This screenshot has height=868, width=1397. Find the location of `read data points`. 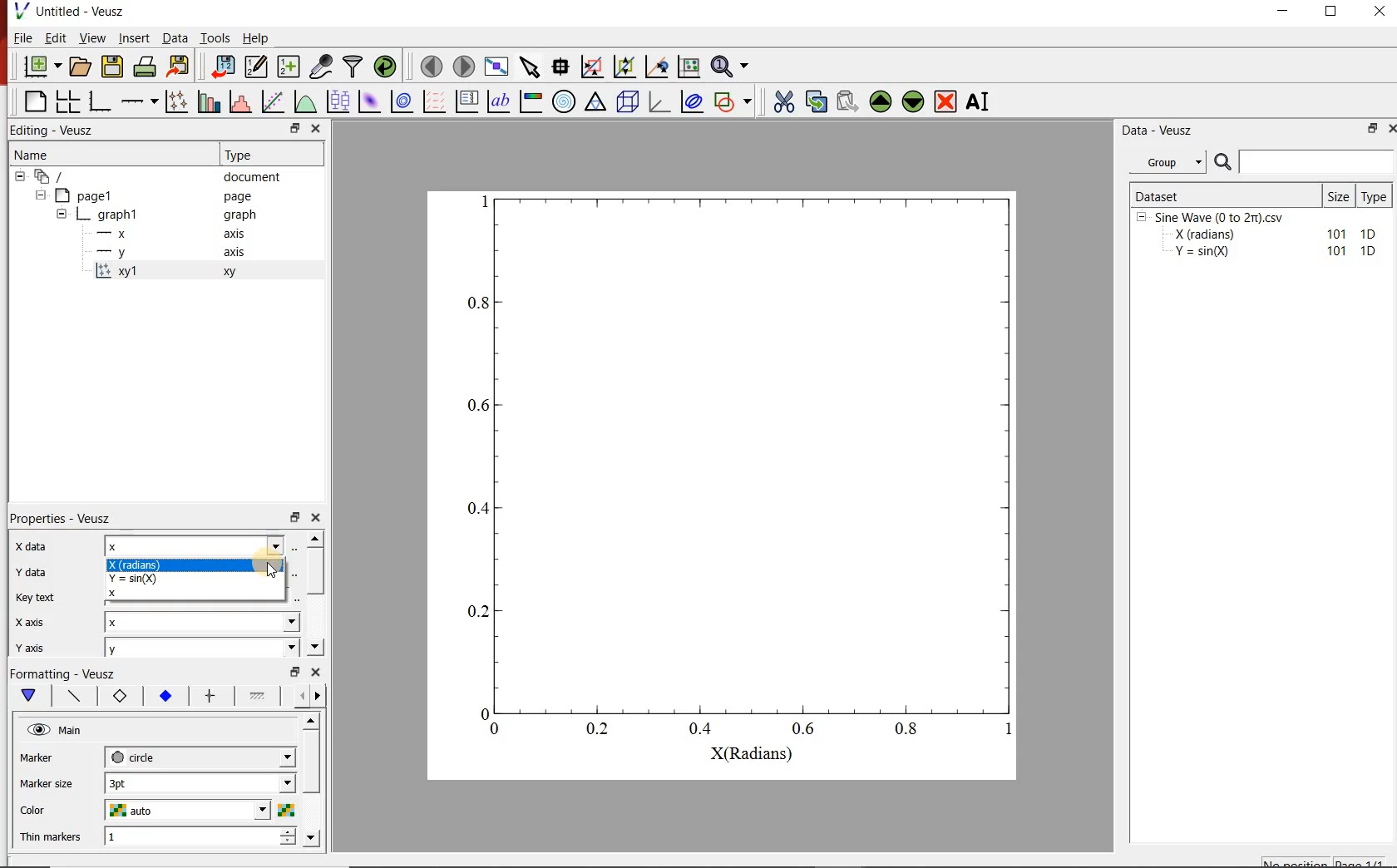

read data points is located at coordinates (560, 65).